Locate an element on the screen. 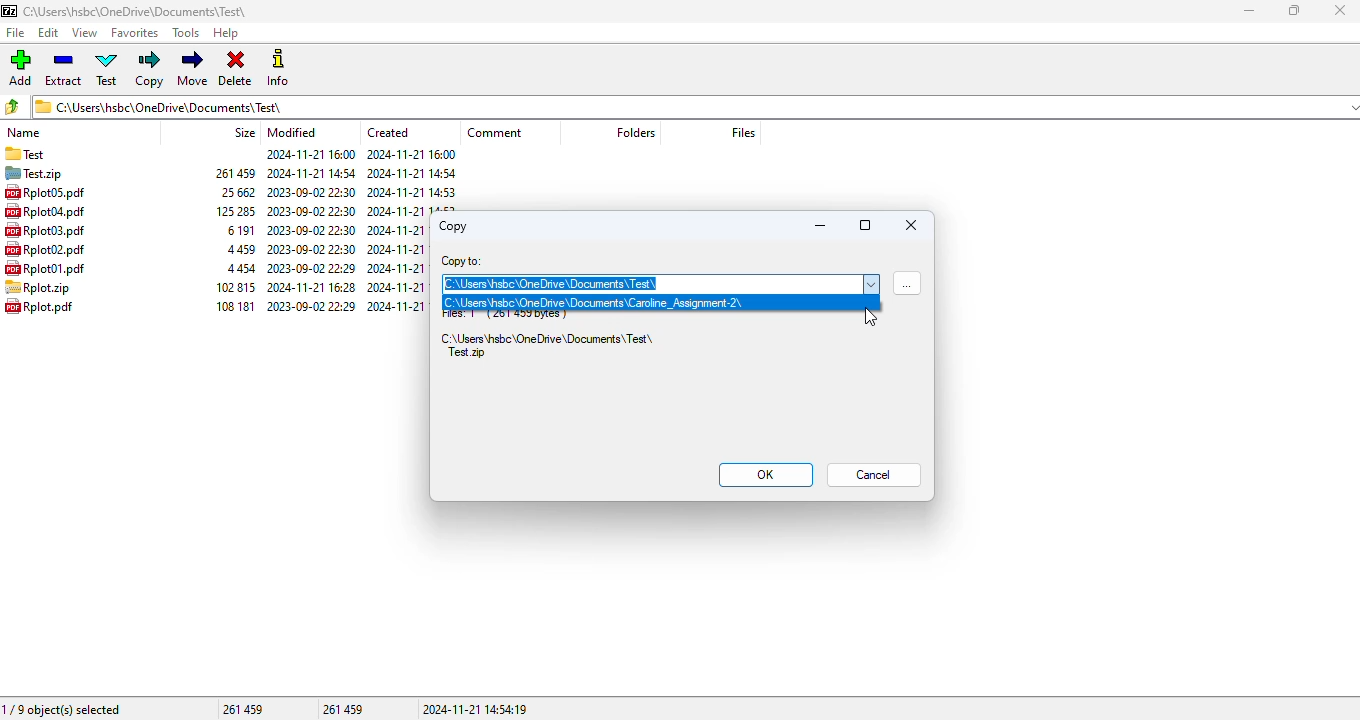  name is located at coordinates (25, 132).